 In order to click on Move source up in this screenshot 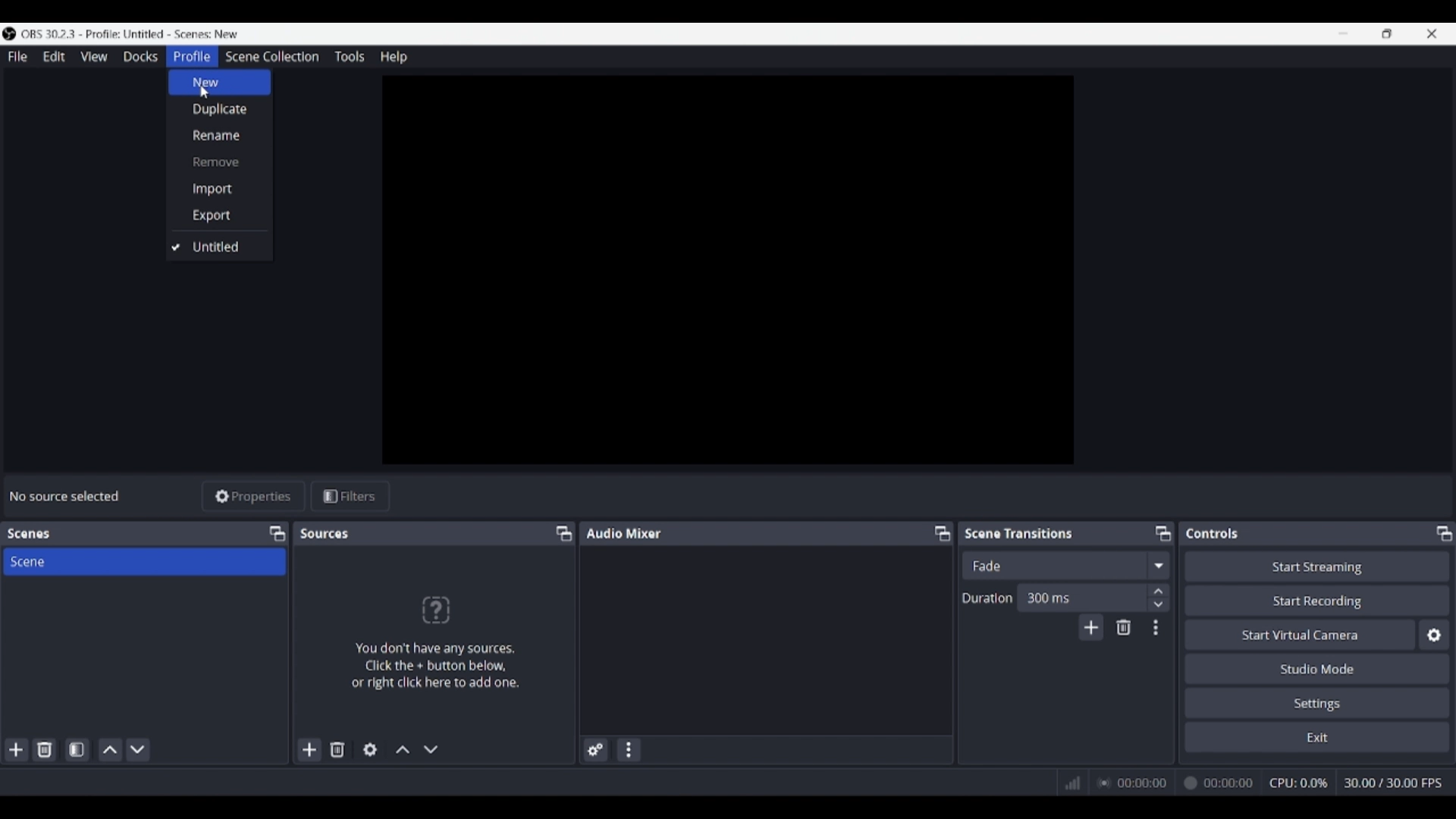, I will do `click(403, 749)`.